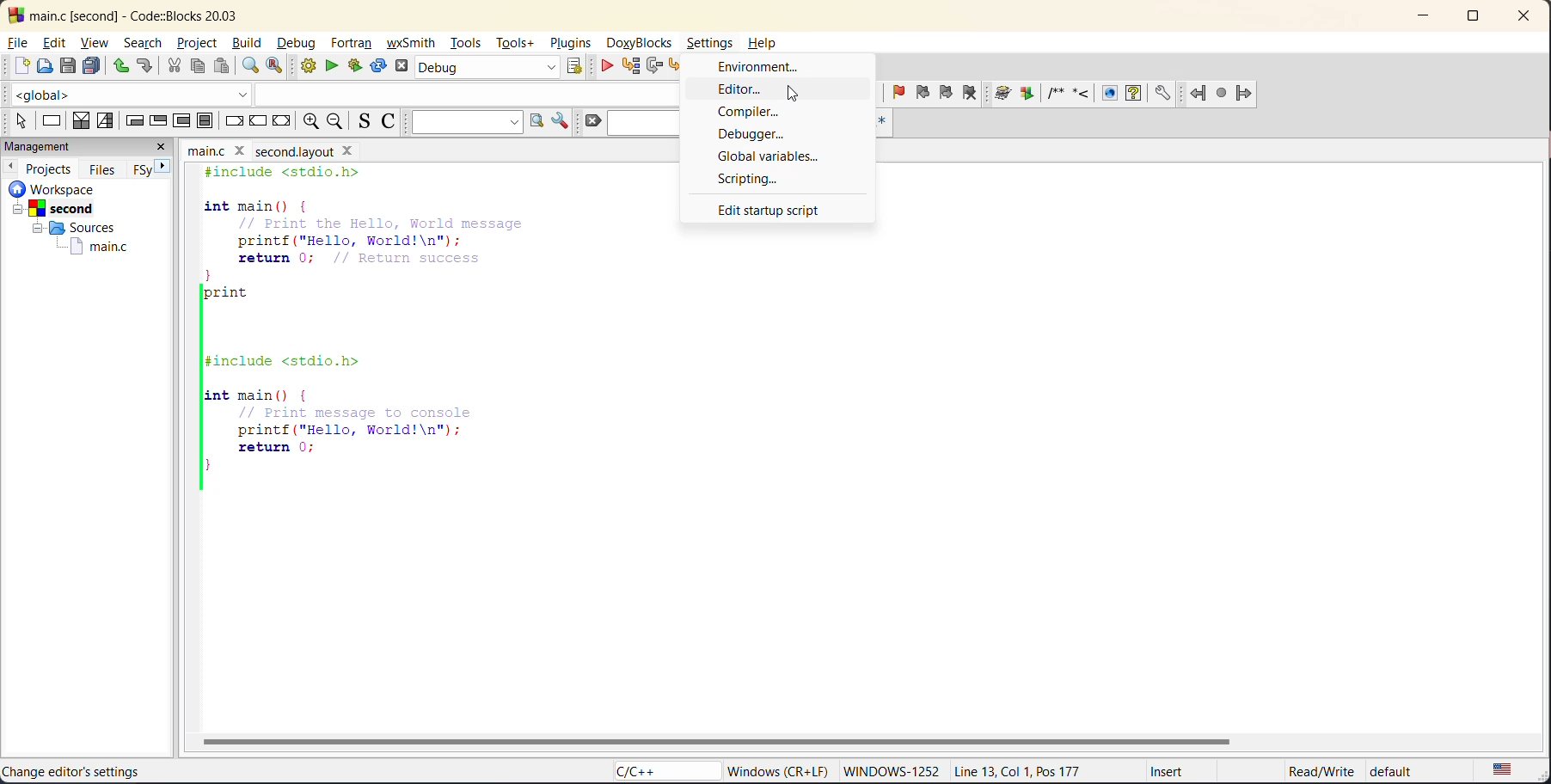 Image resolution: width=1551 pixels, height=784 pixels. Describe the element at coordinates (1161, 774) in the screenshot. I see `Insert` at that location.